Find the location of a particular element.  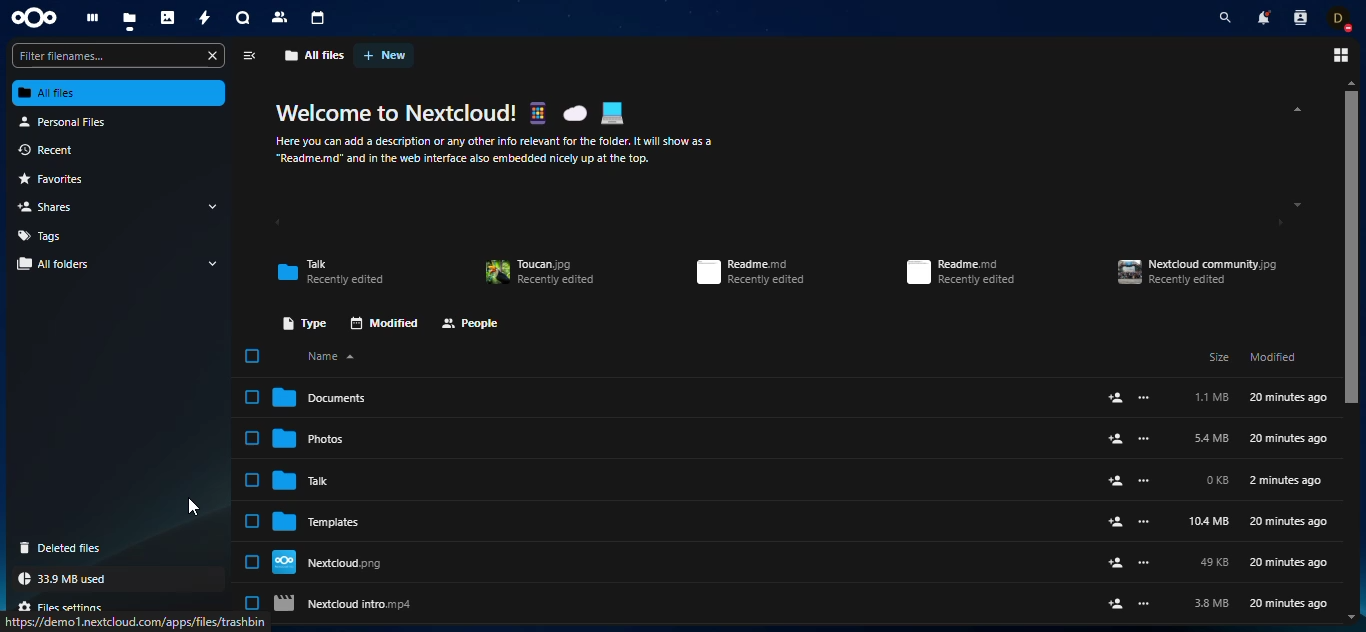

3.8 MB is located at coordinates (1211, 604).